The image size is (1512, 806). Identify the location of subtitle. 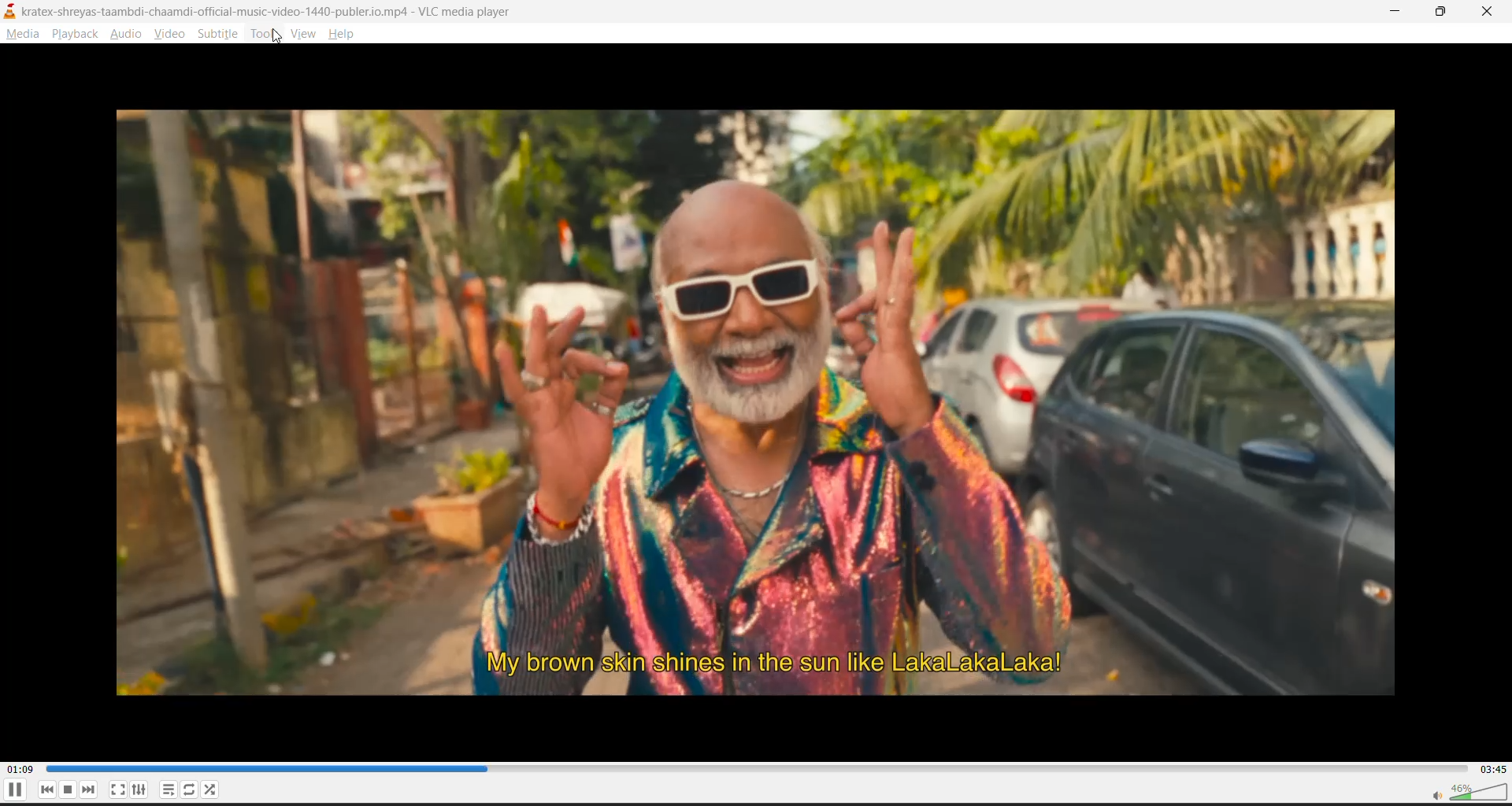
(220, 34).